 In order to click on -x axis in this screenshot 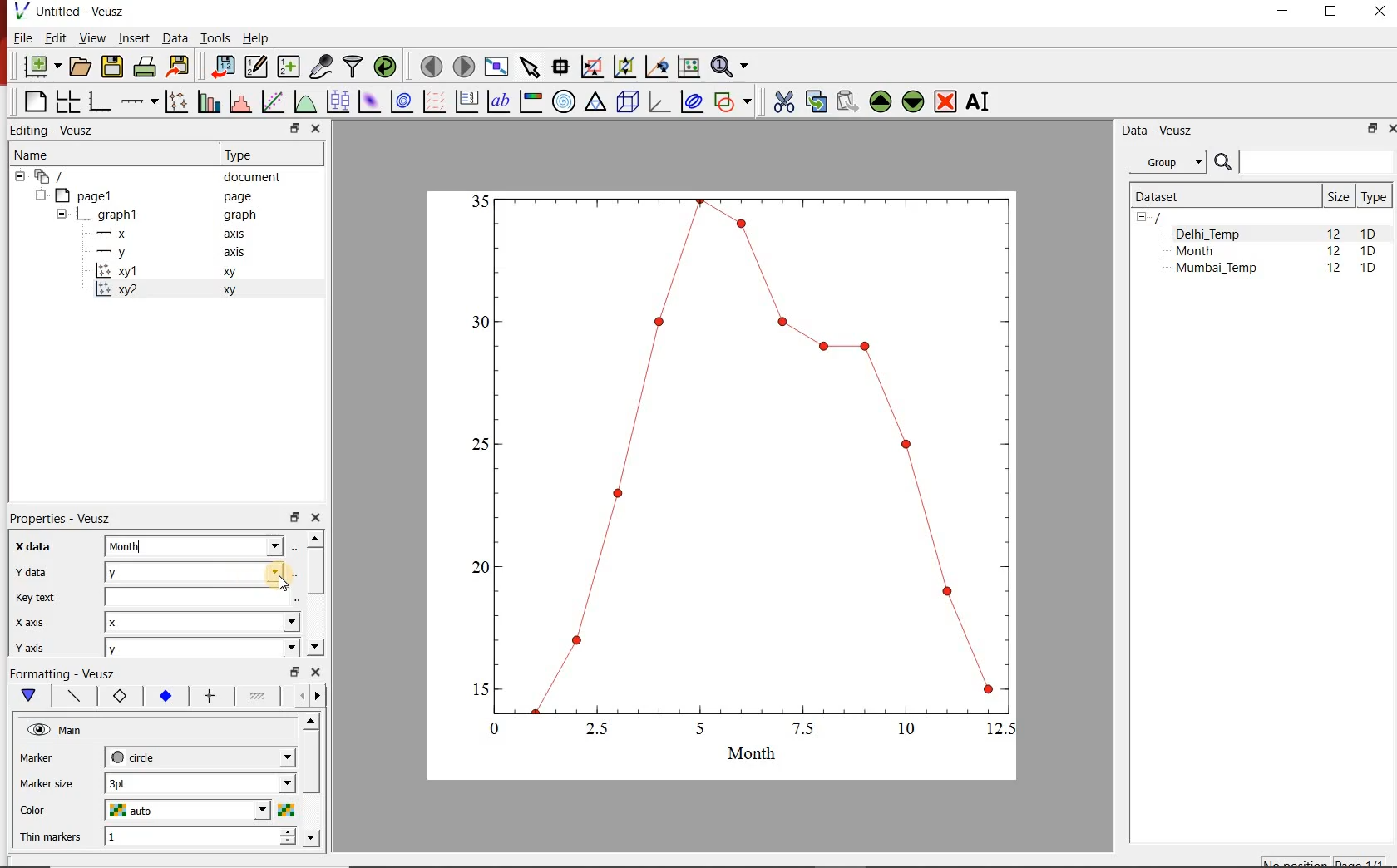, I will do `click(164, 234)`.